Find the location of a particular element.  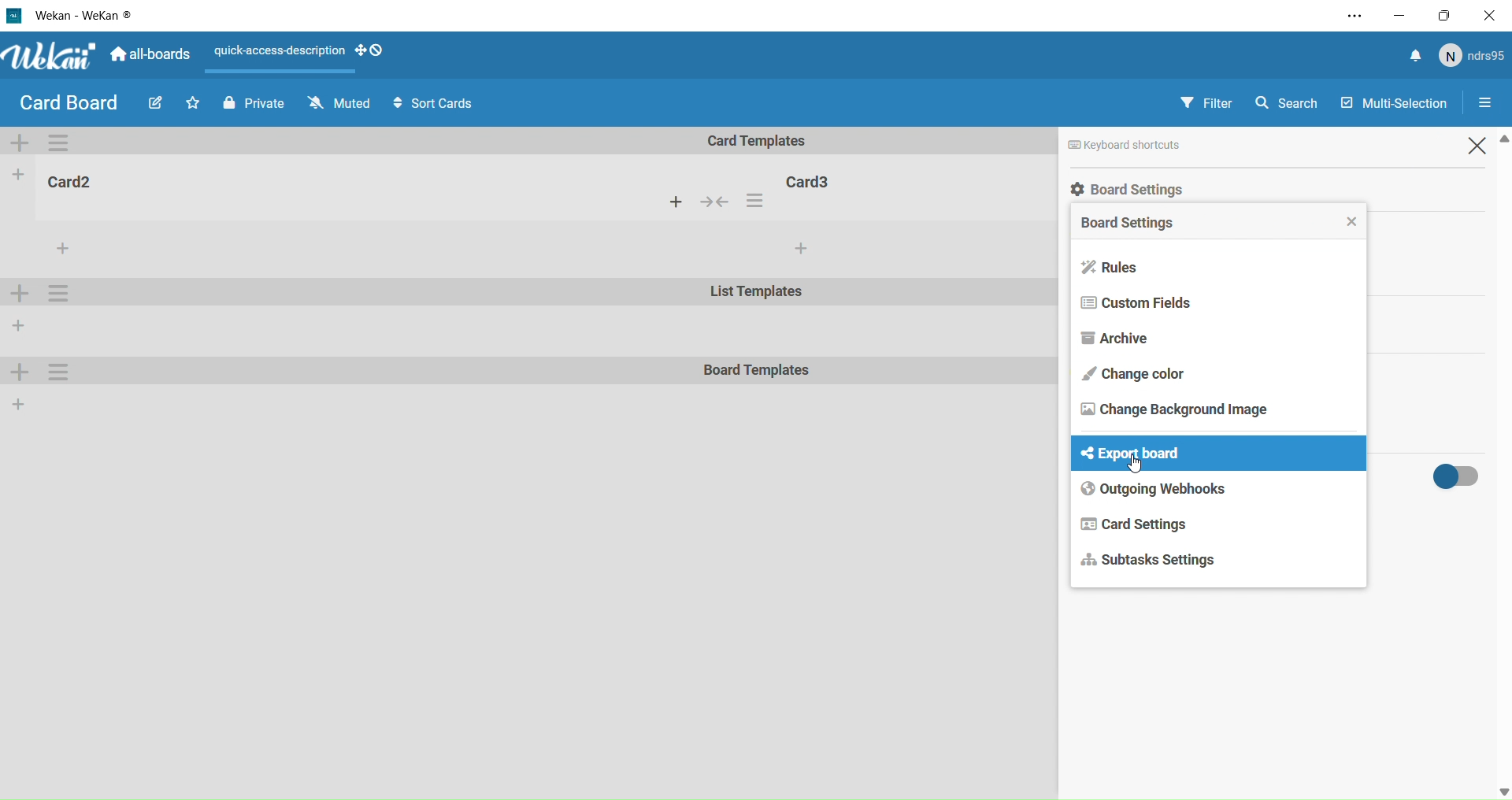

Private is located at coordinates (250, 102).